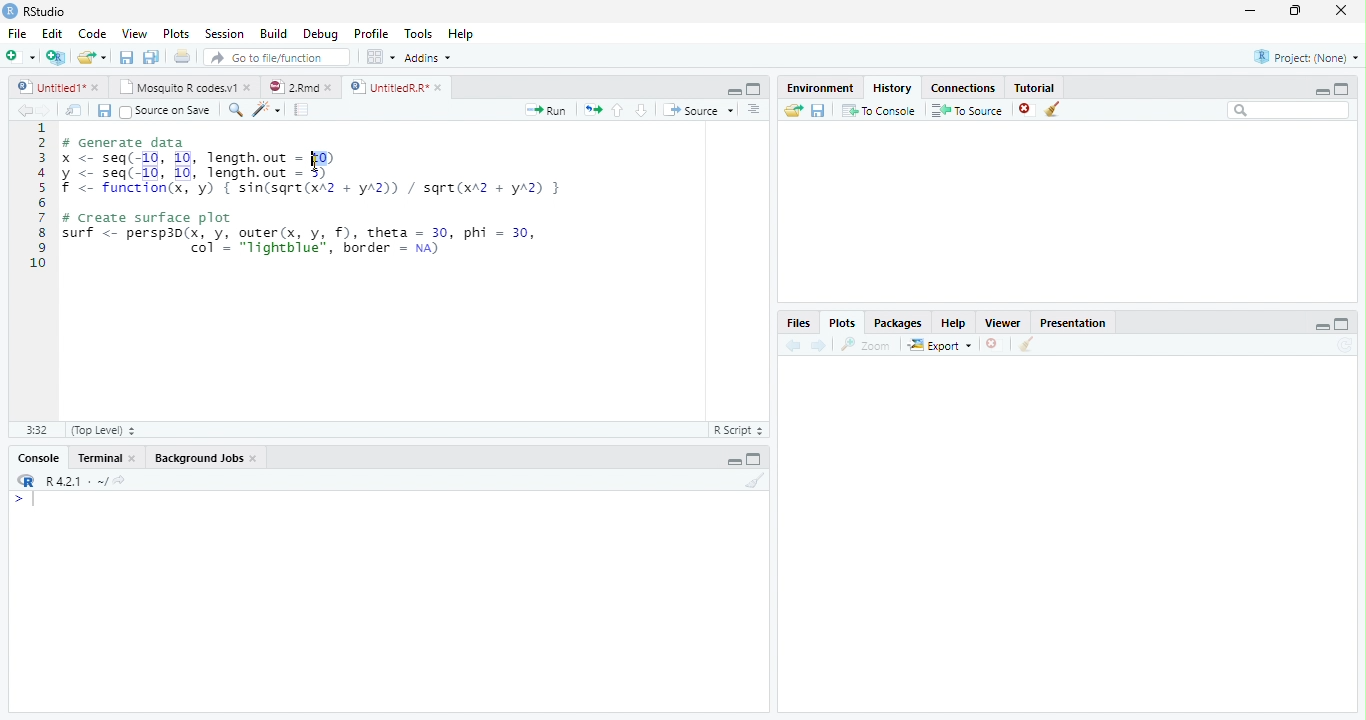 The image size is (1366, 720). I want to click on Profile, so click(372, 33).